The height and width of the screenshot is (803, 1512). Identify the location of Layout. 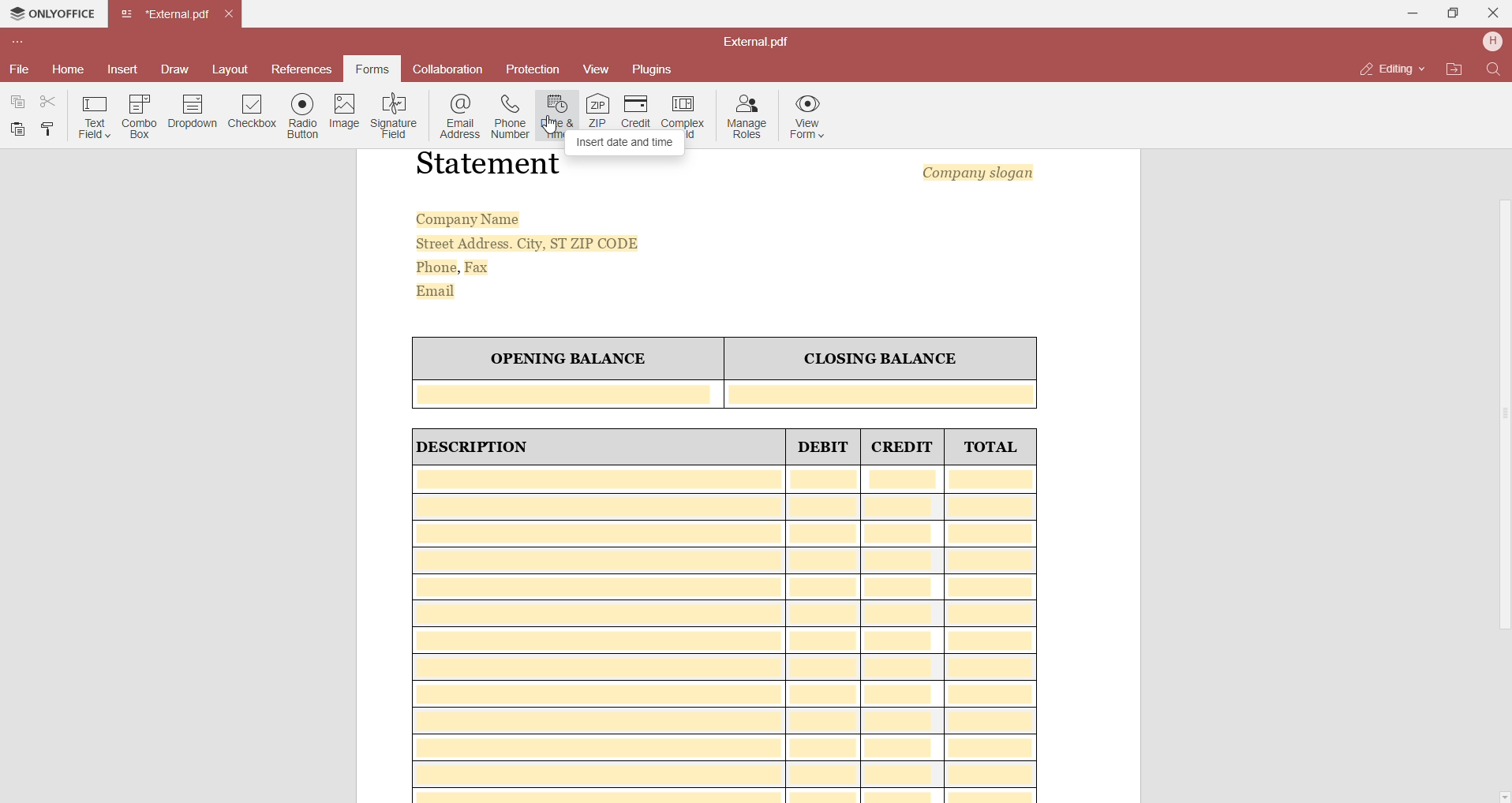
(231, 69).